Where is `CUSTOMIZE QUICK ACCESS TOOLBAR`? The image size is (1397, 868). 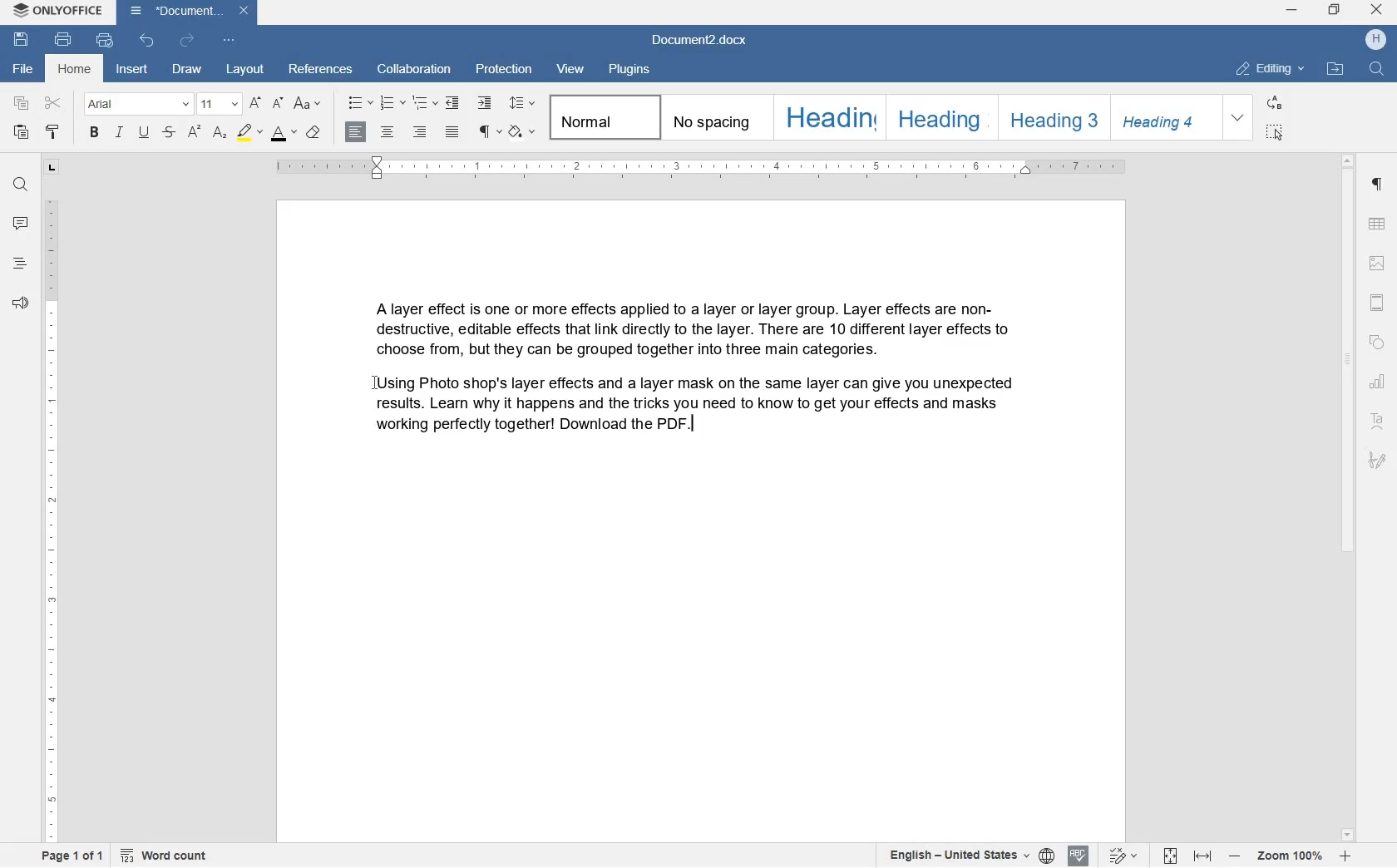 CUSTOMIZE QUICK ACCESS TOOLBAR is located at coordinates (231, 40).